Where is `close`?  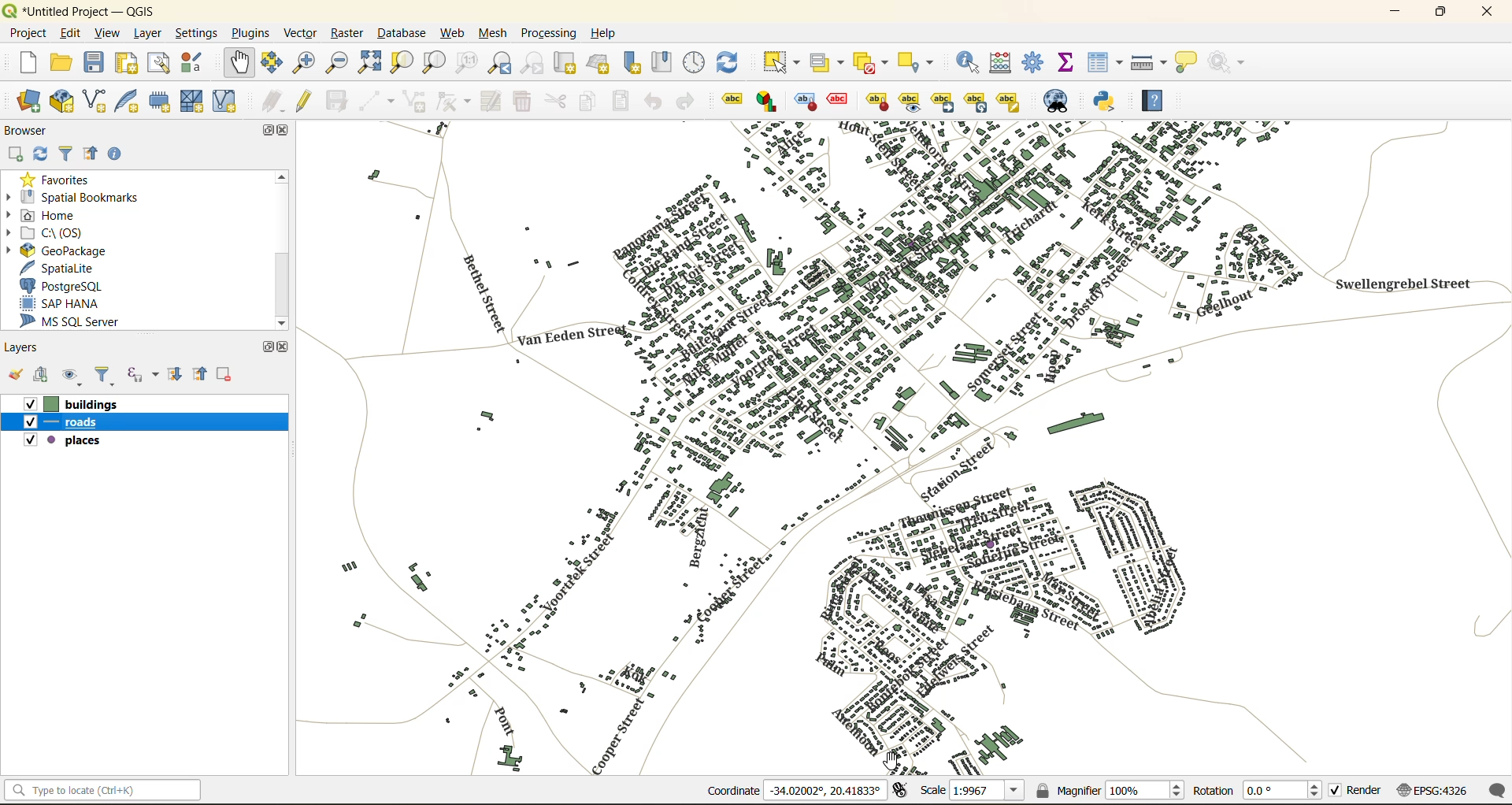
close is located at coordinates (286, 132).